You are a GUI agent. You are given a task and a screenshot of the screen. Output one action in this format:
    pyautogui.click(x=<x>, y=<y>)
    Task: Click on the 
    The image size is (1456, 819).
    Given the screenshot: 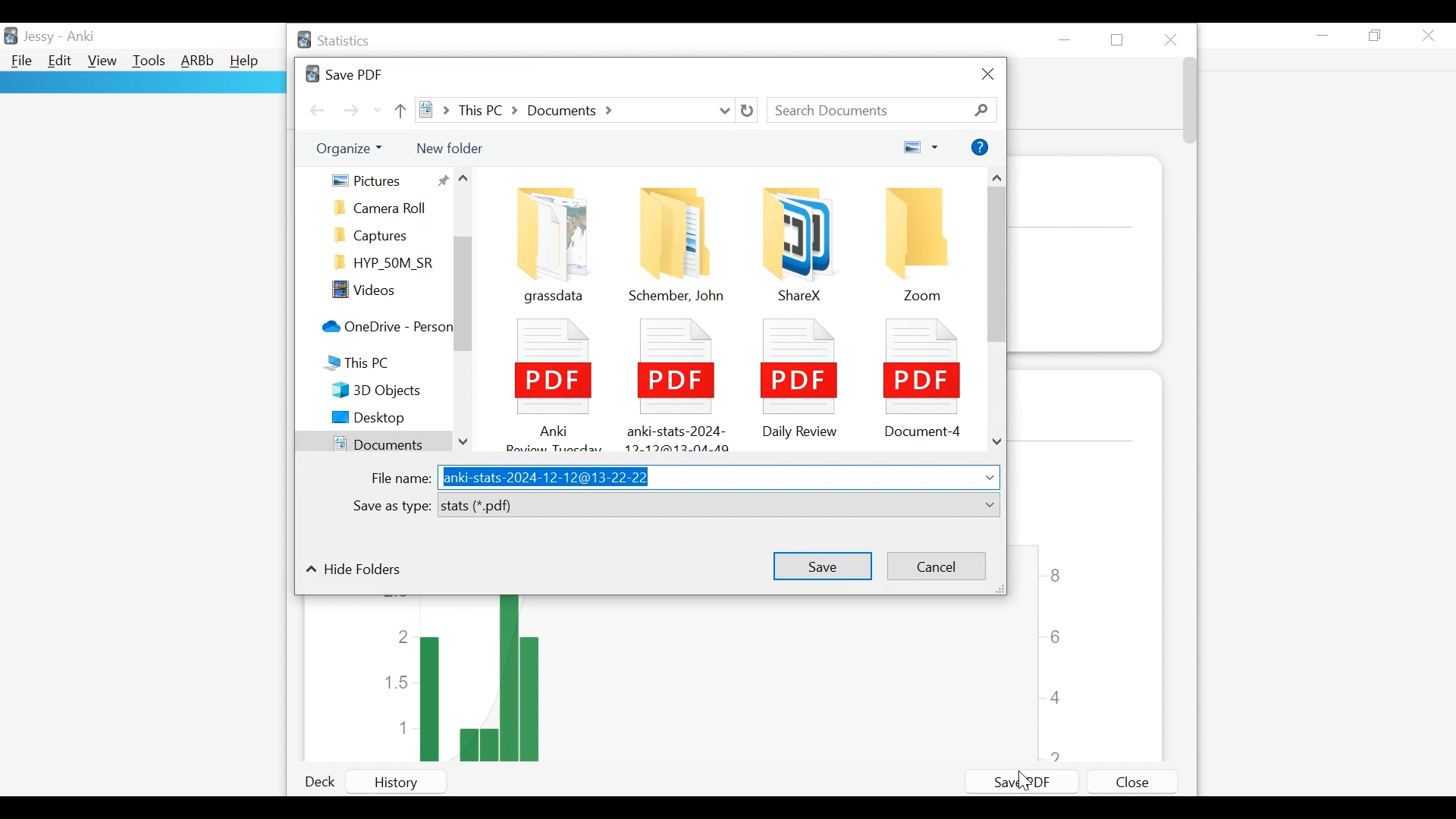 What is the action you would take?
    pyautogui.click(x=400, y=479)
    